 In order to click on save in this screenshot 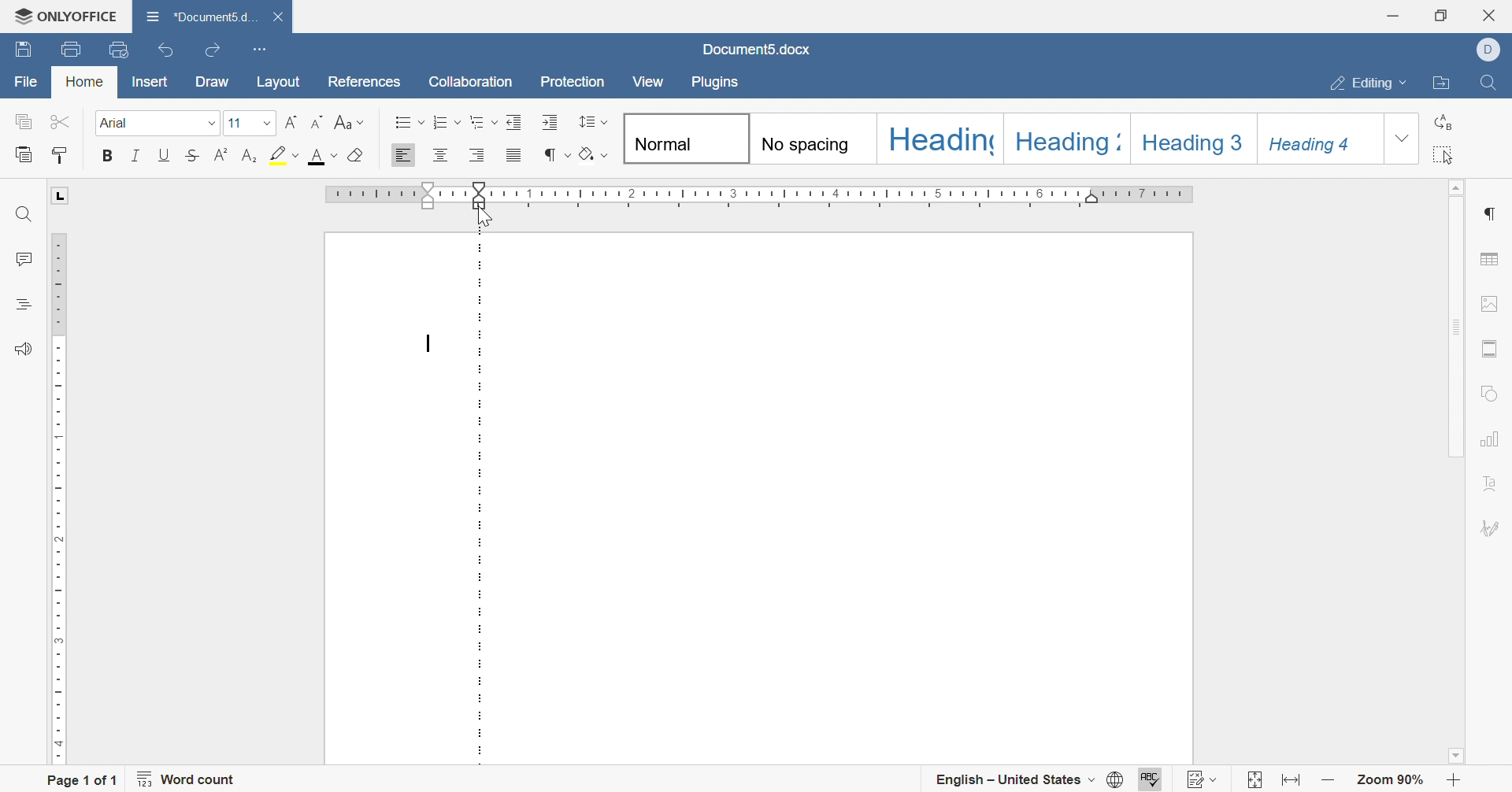, I will do `click(26, 47)`.